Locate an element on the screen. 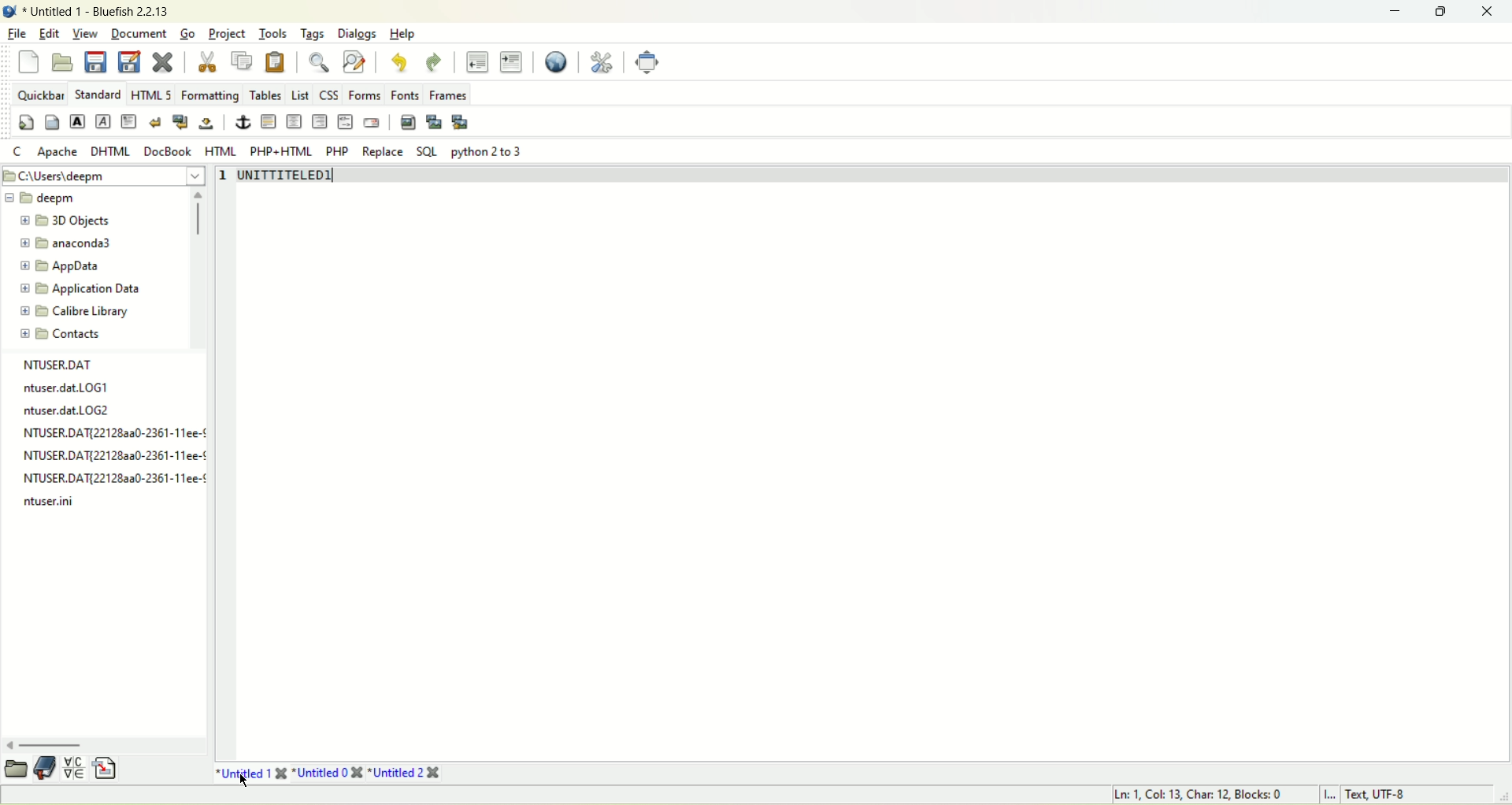 The width and height of the screenshot is (1512, 805). list  is located at coordinates (302, 95).